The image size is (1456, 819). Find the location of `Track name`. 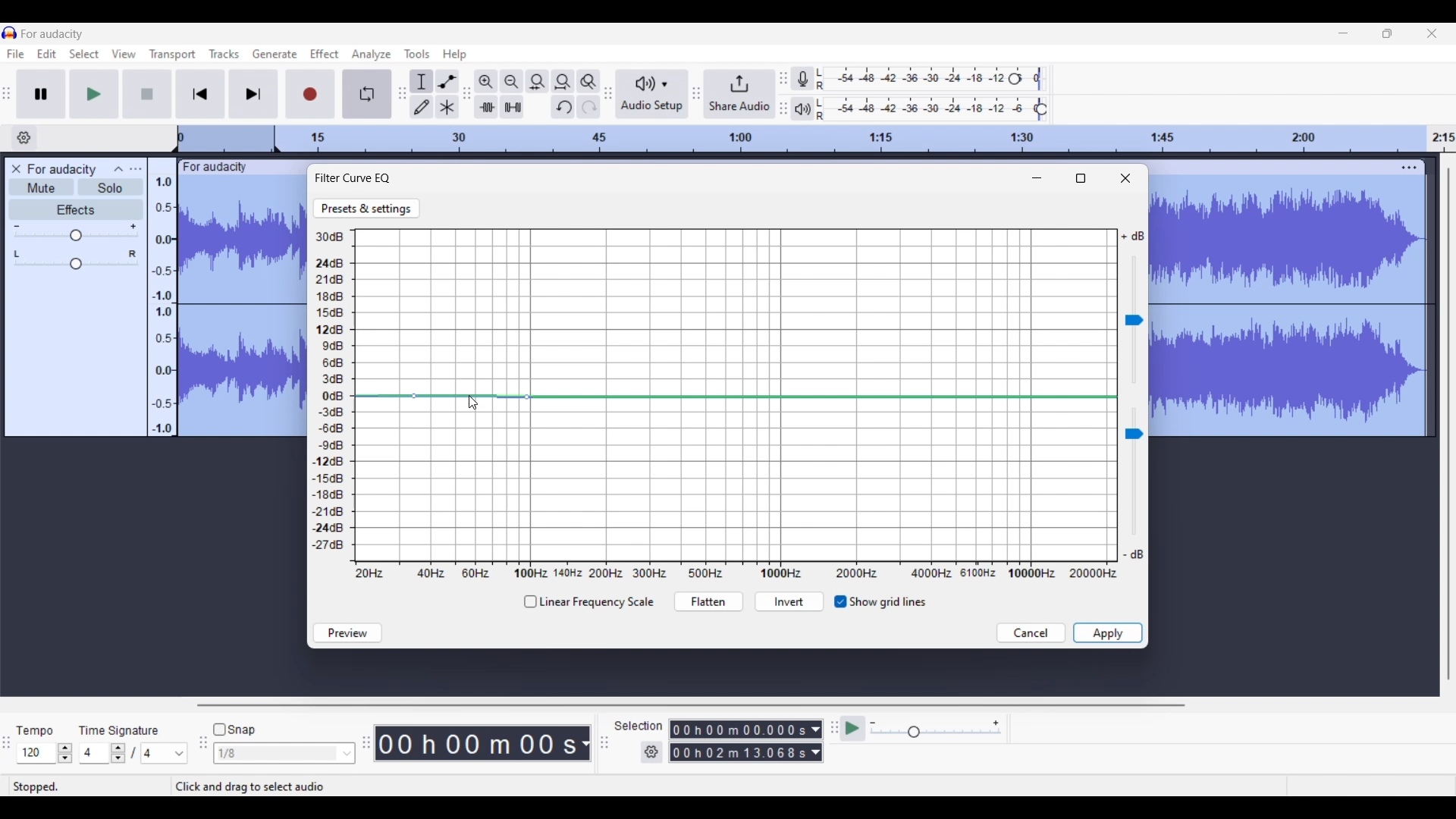

Track name is located at coordinates (215, 168).